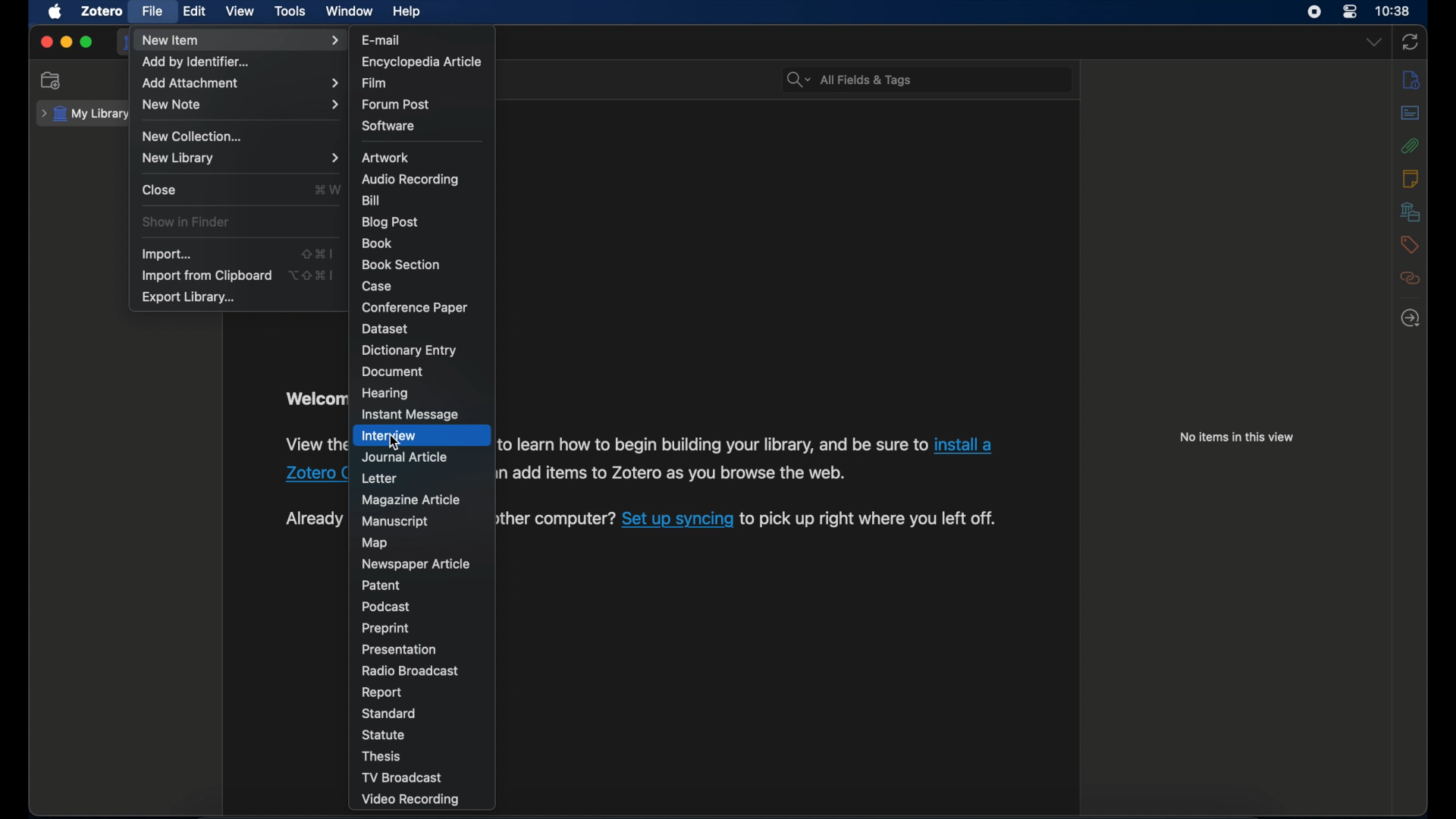  What do you see at coordinates (409, 350) in the screenshot?
I see `dictionary entry` at bounding box center [409, 350].